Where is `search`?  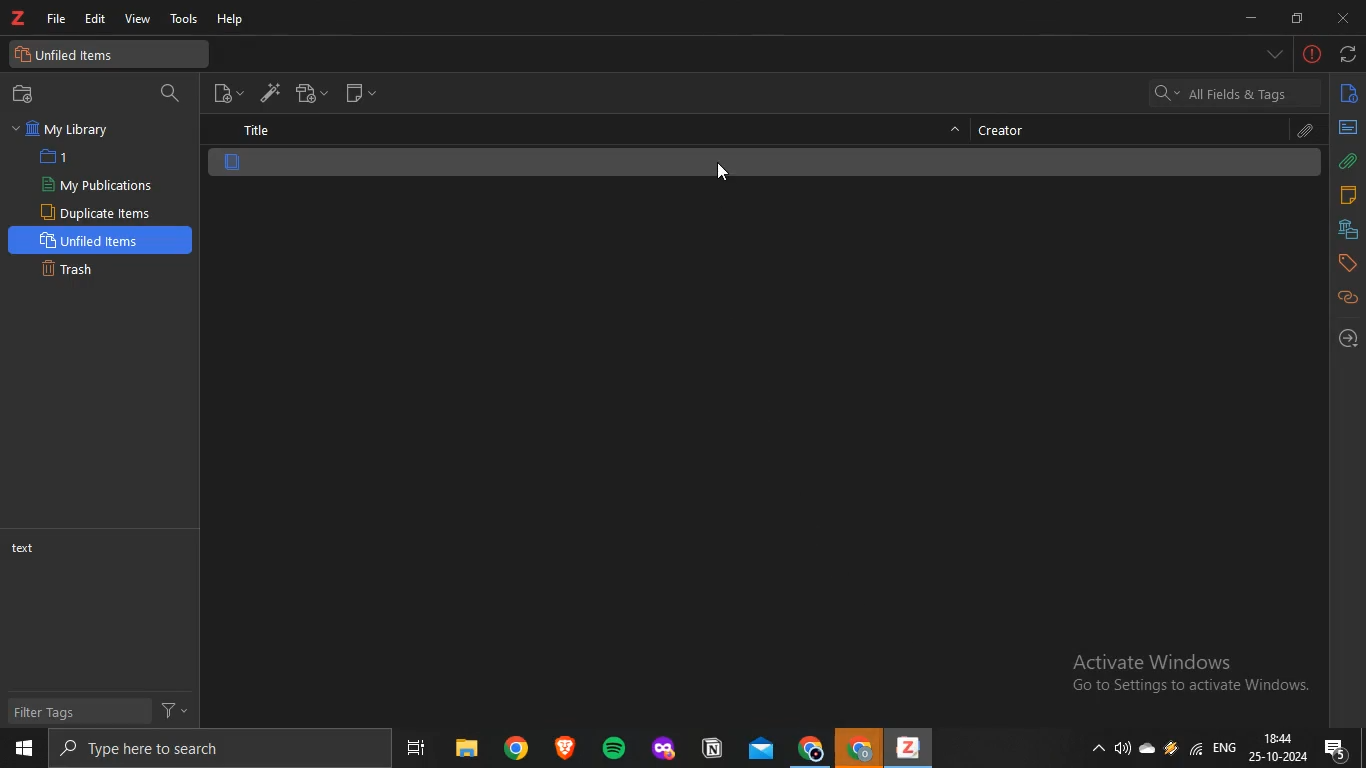
search is located at coordinates (170, 93).